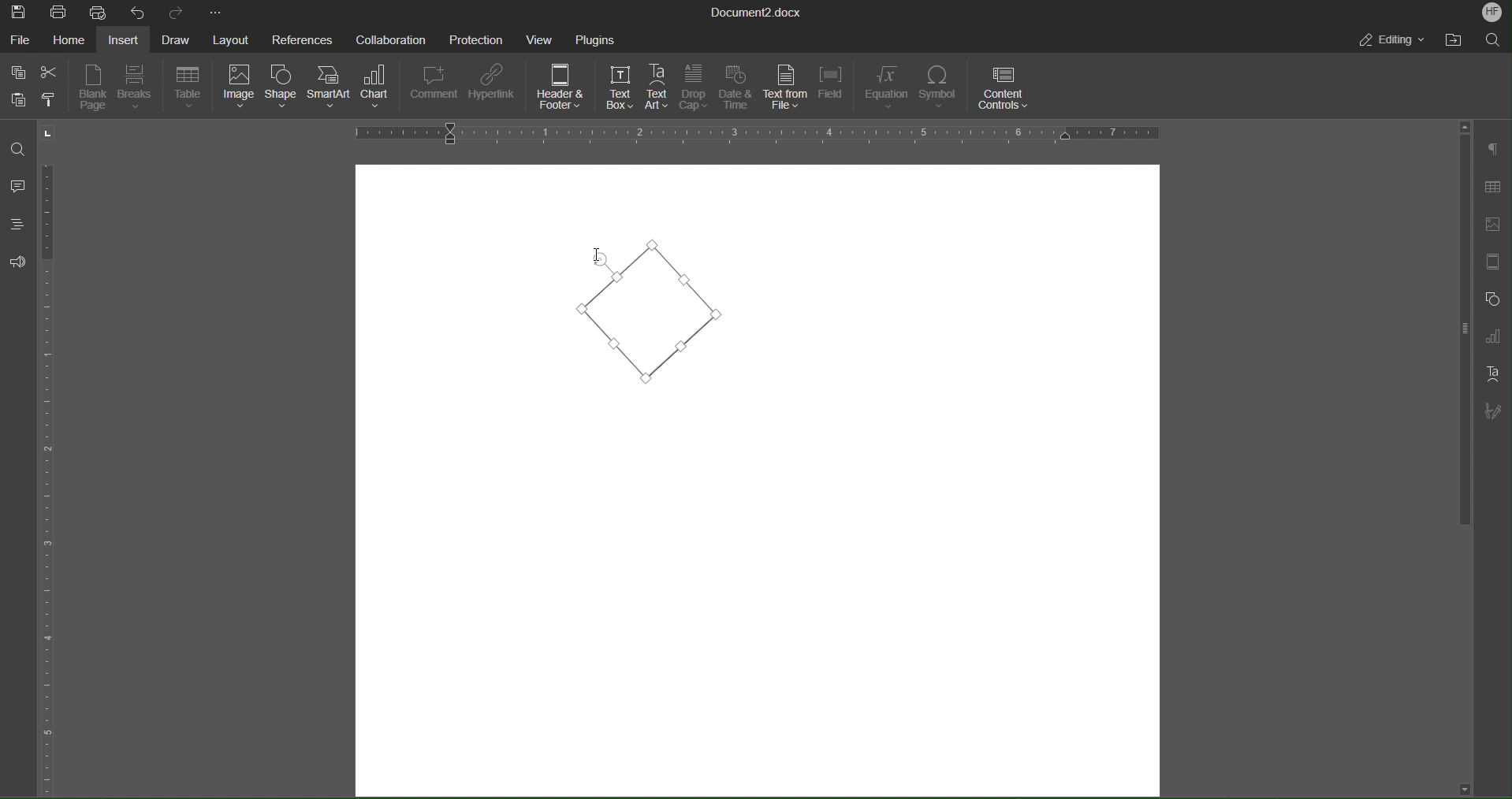 This screenshot has height=799, width=1512. What do you see at coordinates (238, 89) in the screenshot?
I see `Image` at bounding box center [238, 89].